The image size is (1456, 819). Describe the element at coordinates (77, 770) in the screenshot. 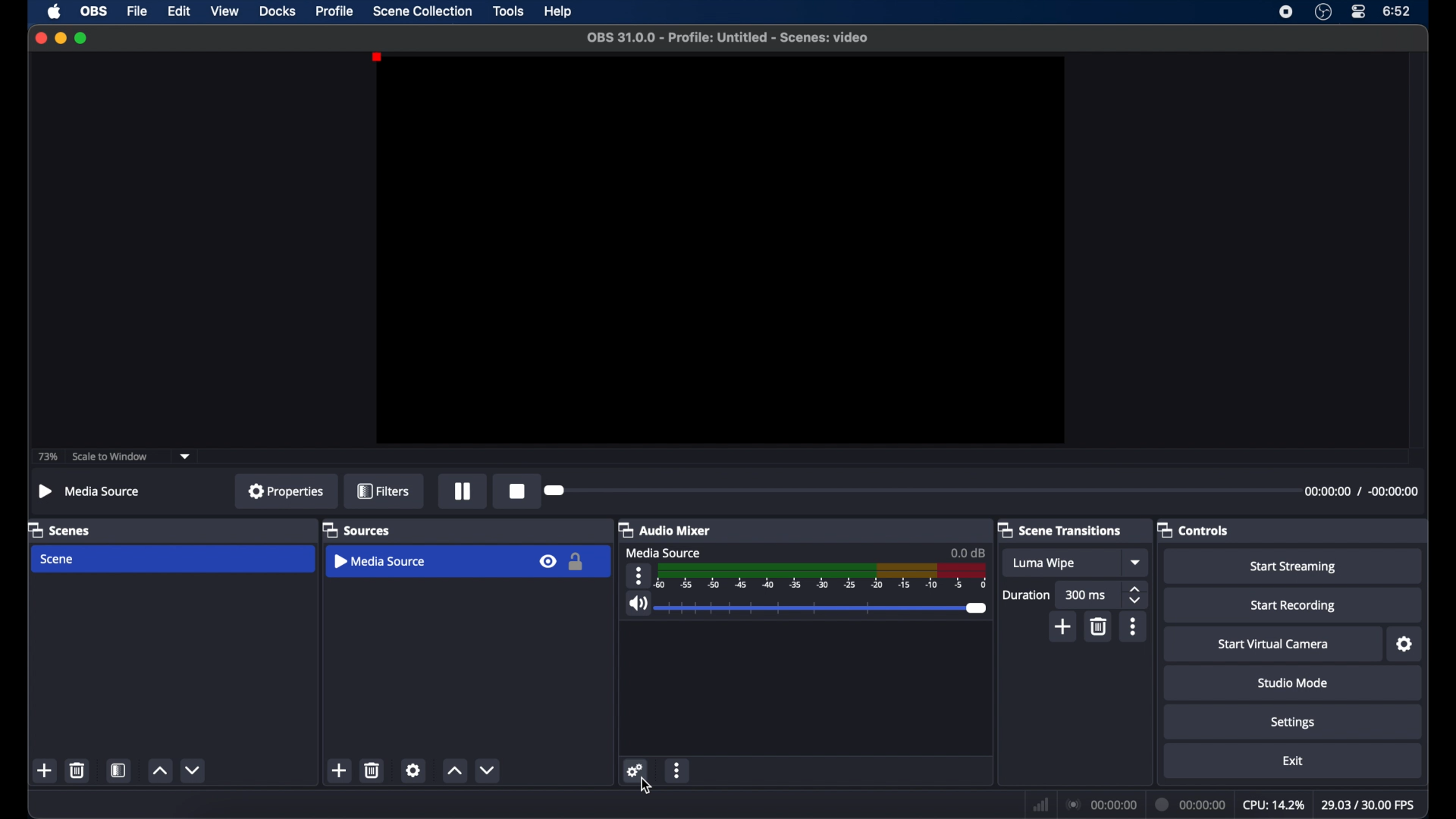

I see `delete` at that location.